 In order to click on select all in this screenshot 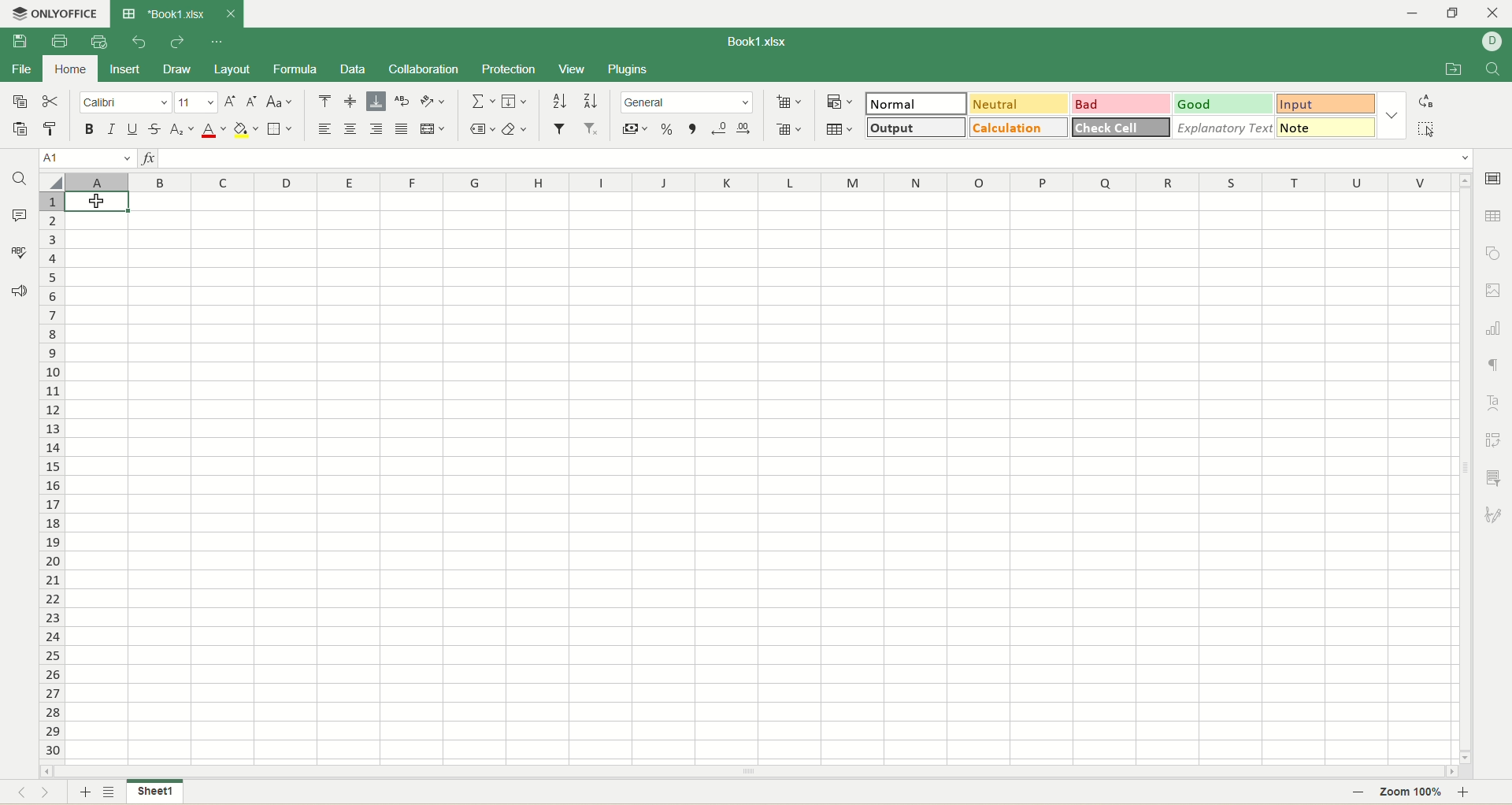, I will do `click(1424, 129)`.